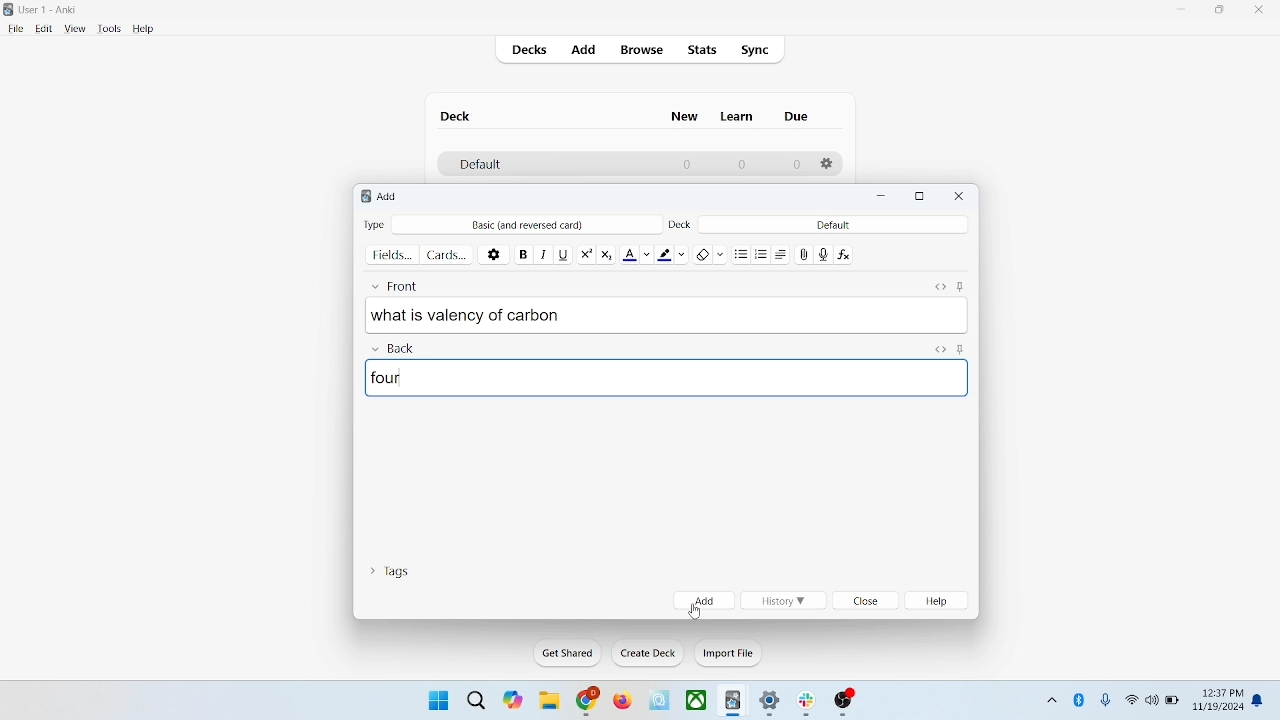  Describe the element at coordinates (436, 699) in the screenshot. I see `window` at that location.